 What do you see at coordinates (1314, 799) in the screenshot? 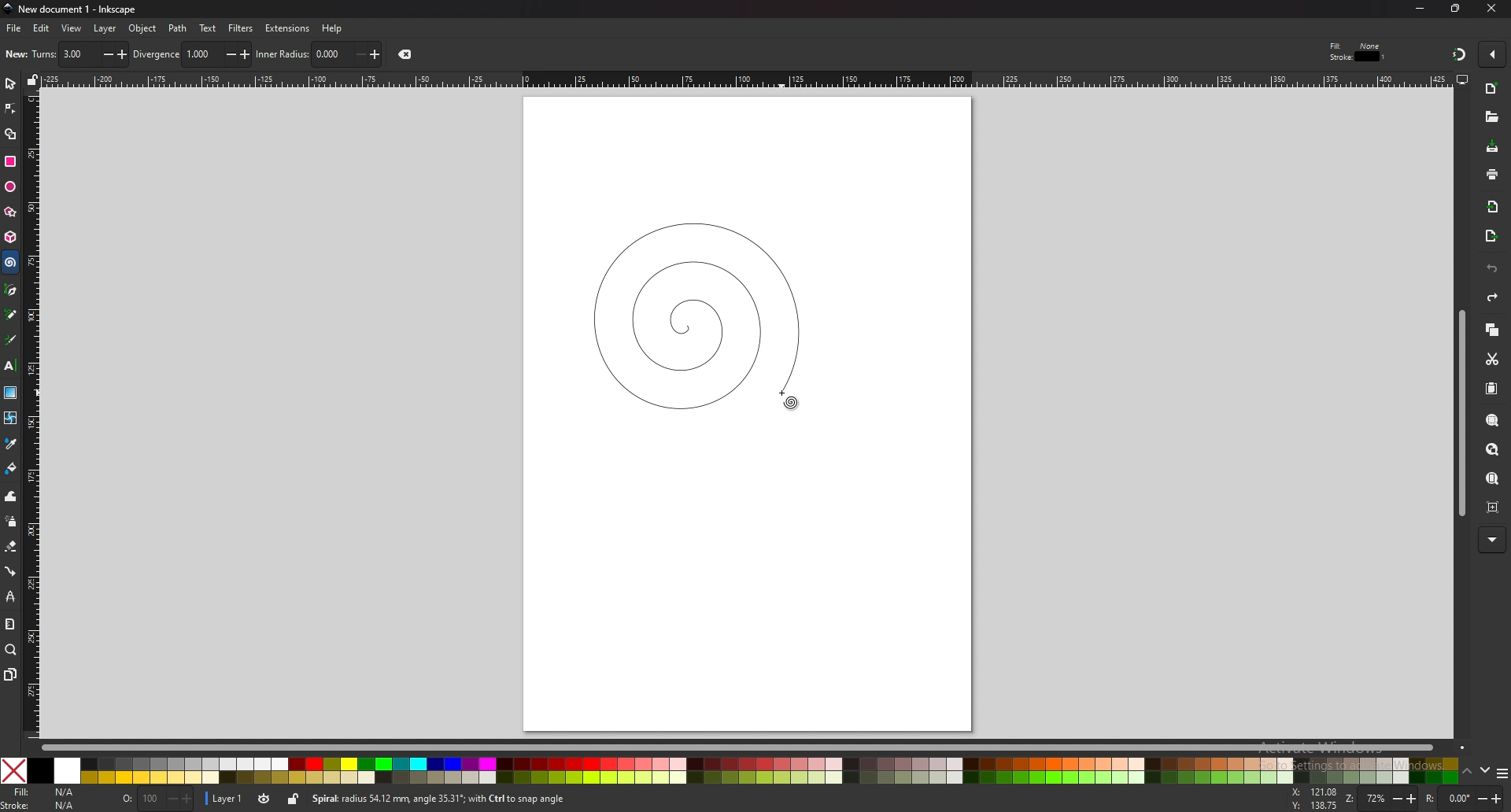
I see `X: 121.08    Y: 138.75` at bounding box center [1314, 799].